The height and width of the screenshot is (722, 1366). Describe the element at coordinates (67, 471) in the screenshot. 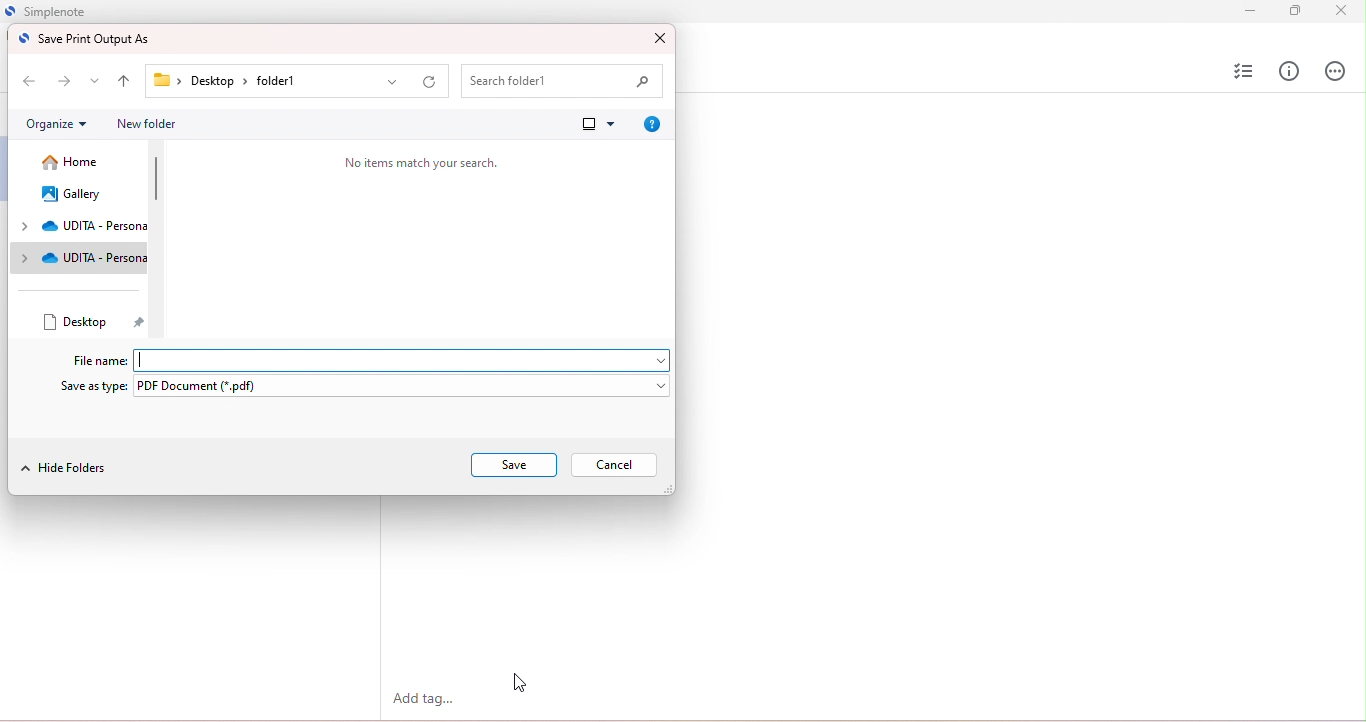

I see `hide folders` at that location.